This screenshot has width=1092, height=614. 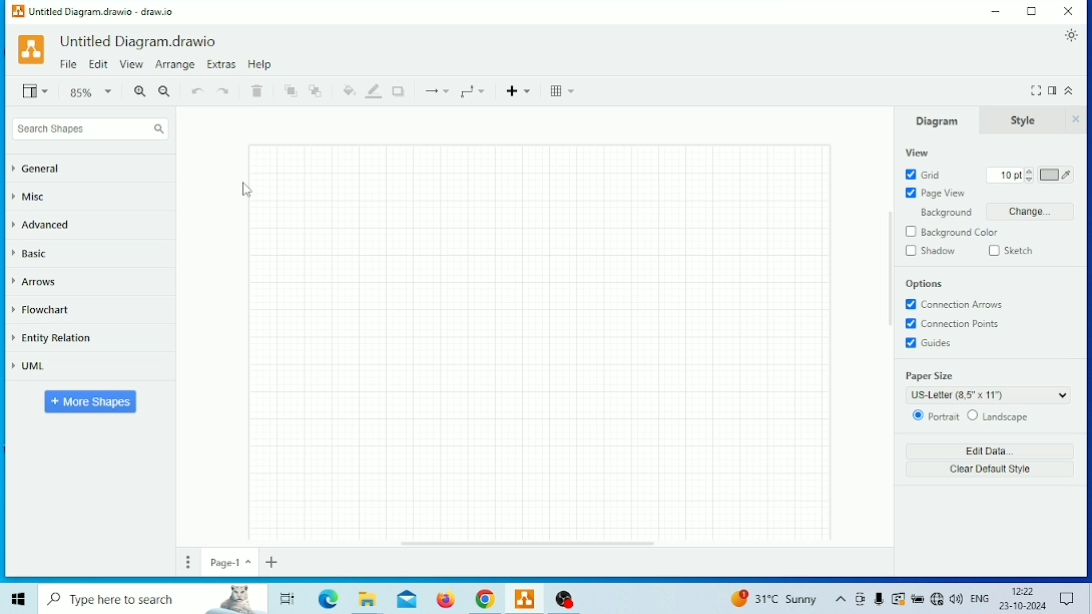 I want to click on Mic, so click(x=879, y=598).